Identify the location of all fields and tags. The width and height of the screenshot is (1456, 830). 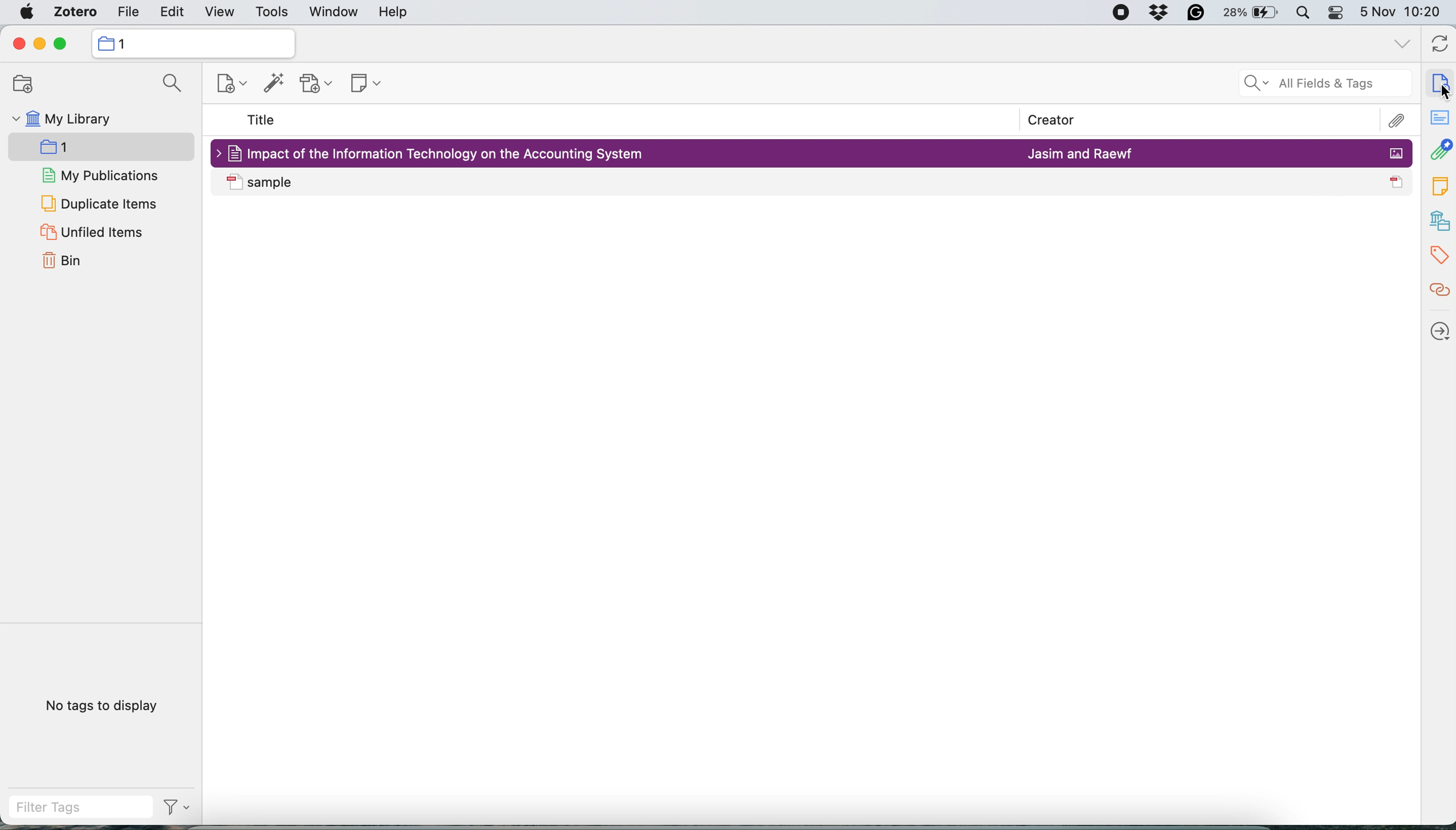
(1320, 86).